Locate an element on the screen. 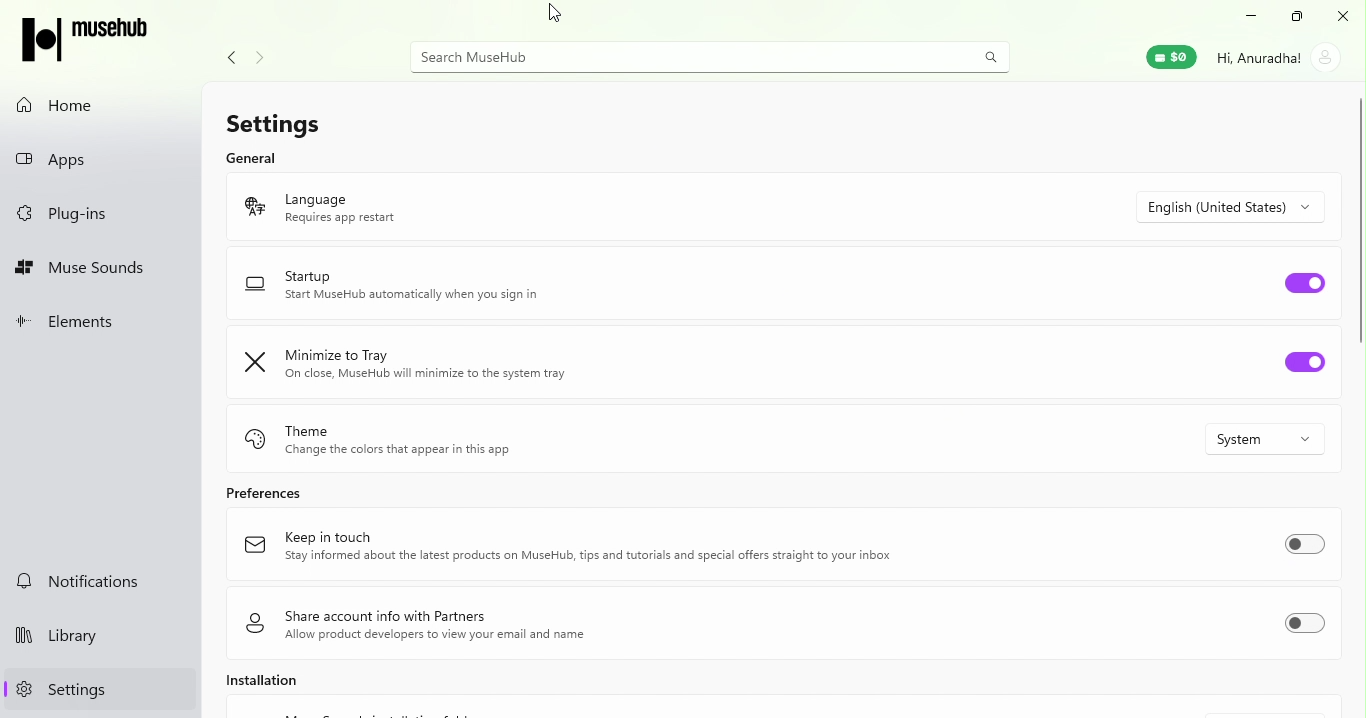  Elements is located at coordinates (100, 323).